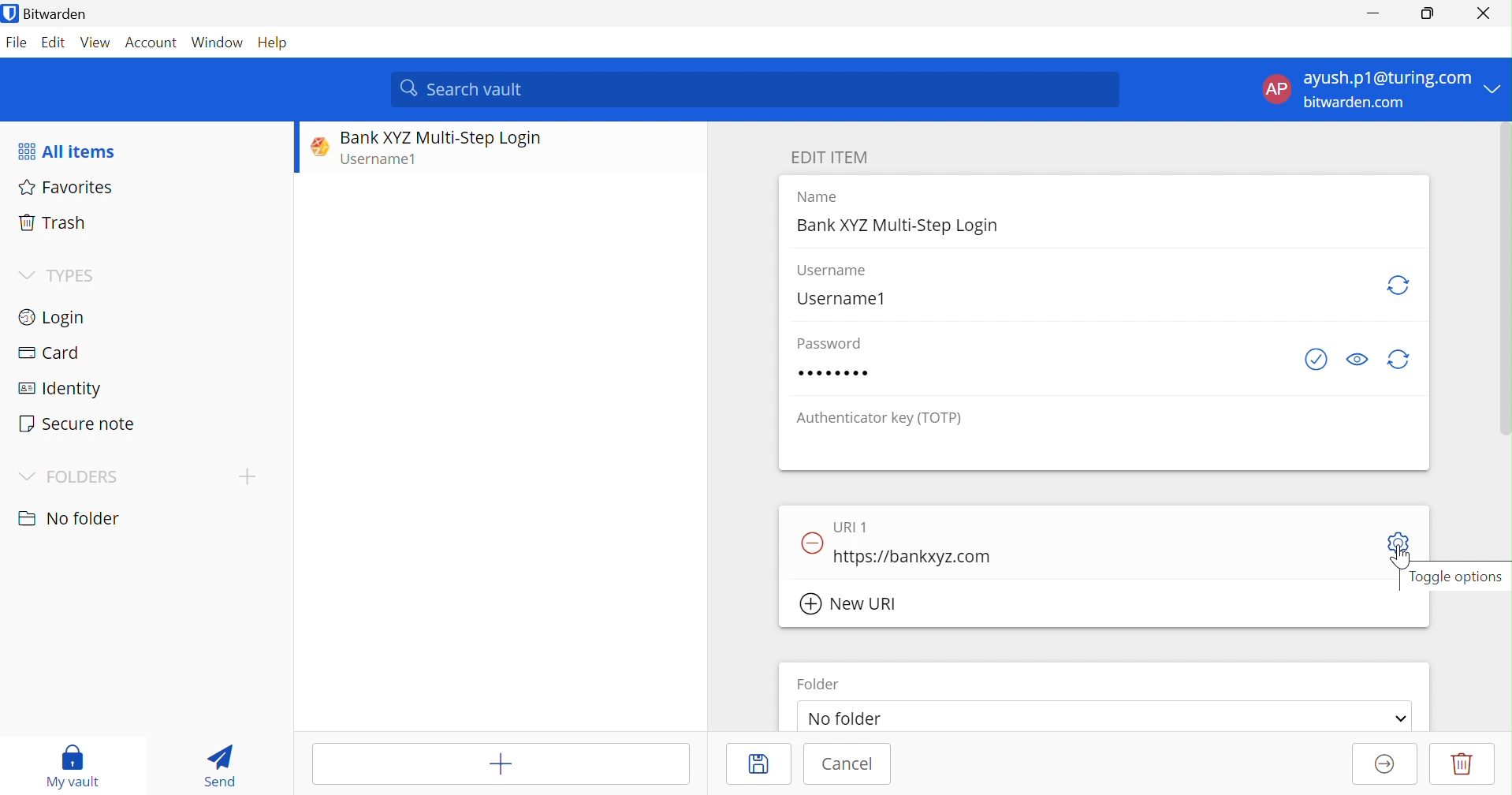 The image size is (1512, 795). What do you see at coordinates (386, 161) in the screenshot?
I see `Username1` at bounding box center [386, 161].